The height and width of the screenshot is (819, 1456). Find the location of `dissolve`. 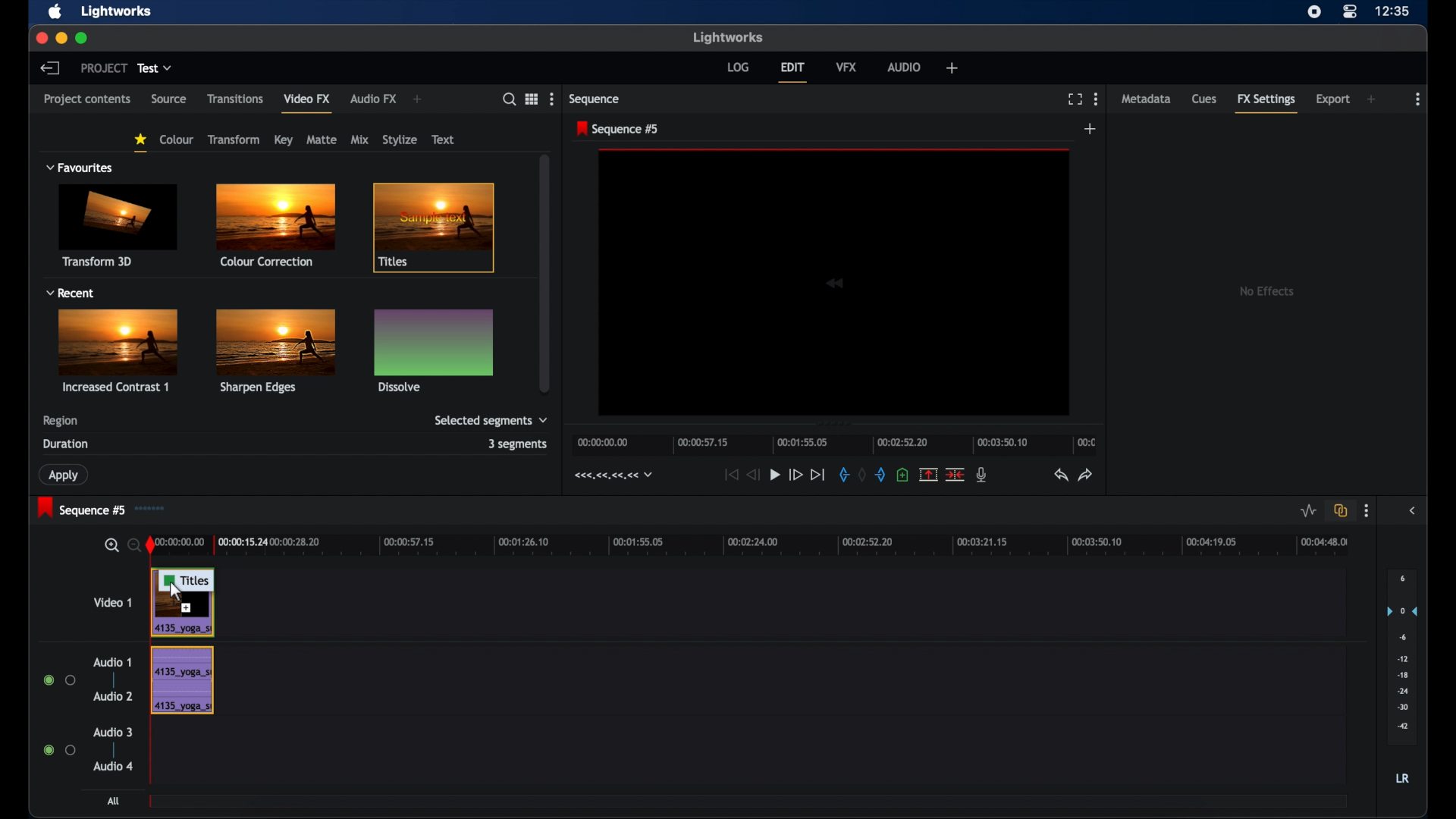

dissolve is located at coordinates (434, 350).